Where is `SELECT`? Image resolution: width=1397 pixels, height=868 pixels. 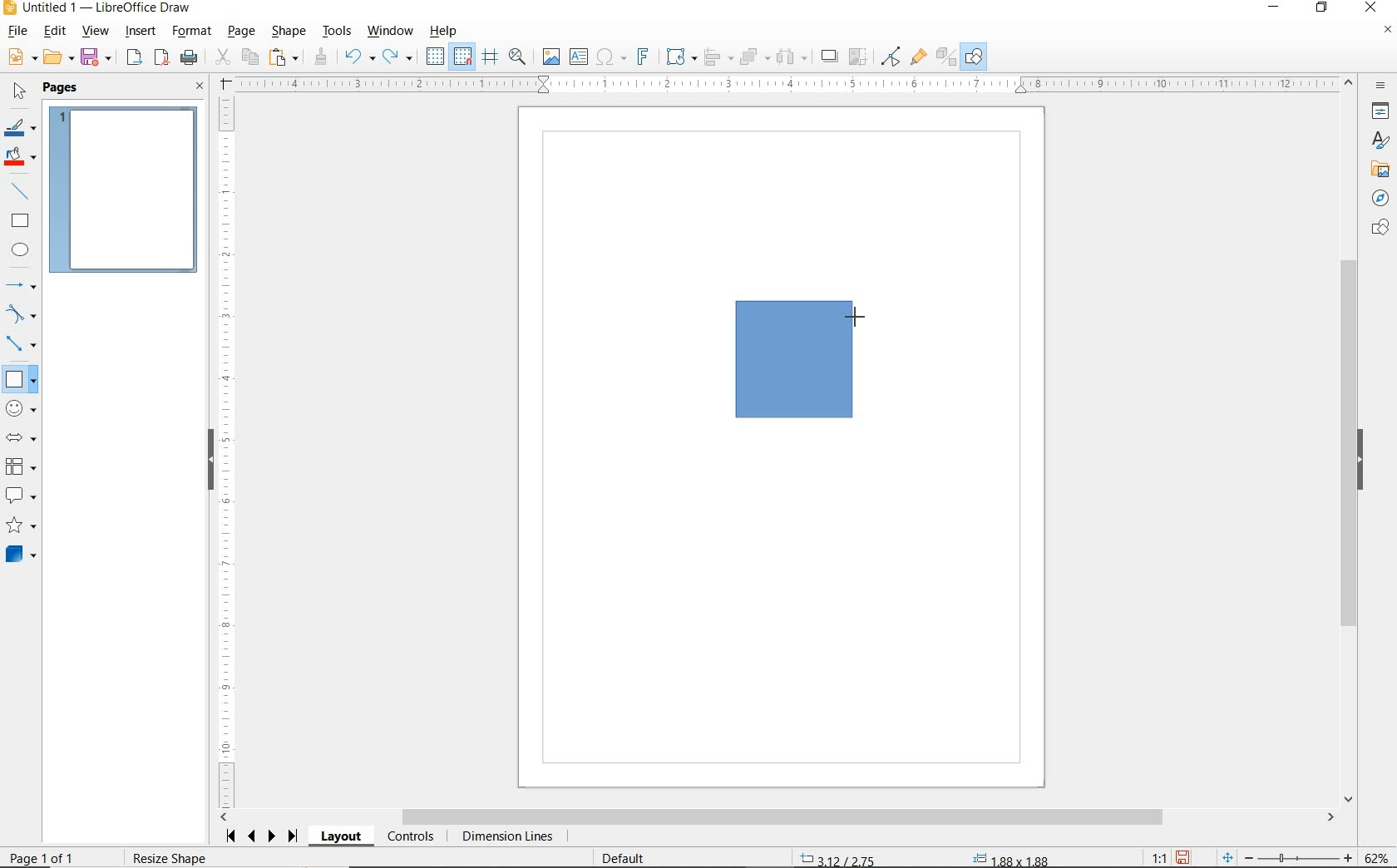 SELECT is located at coordinates (17, 94).